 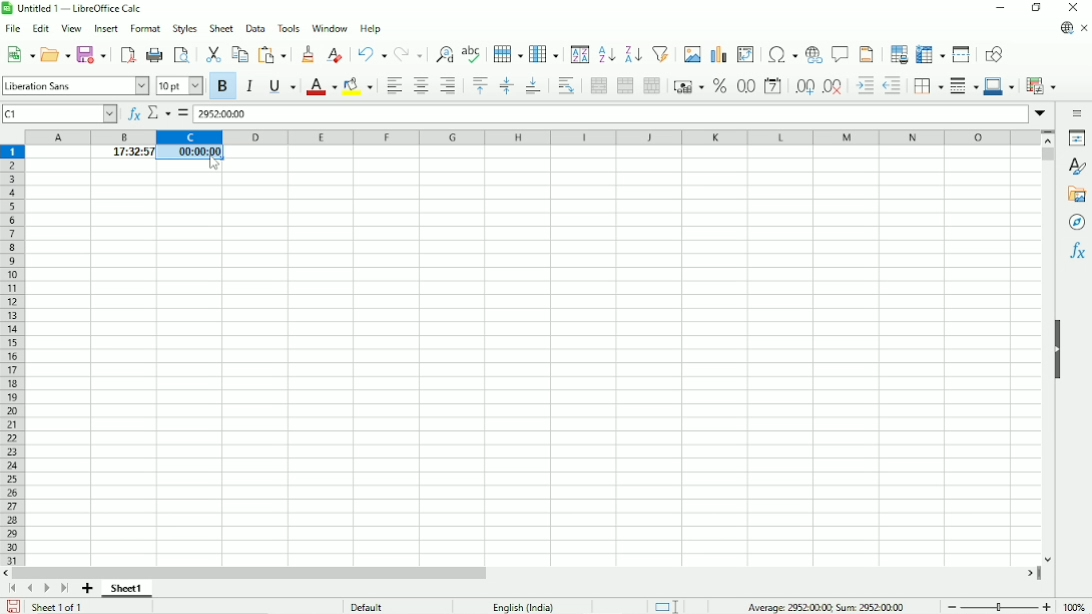 What do you see at coordinates (81, 8) in the screenshot?
I see `Untitled 1 — LibreOffice Calc` at bounding box center [81, 8].